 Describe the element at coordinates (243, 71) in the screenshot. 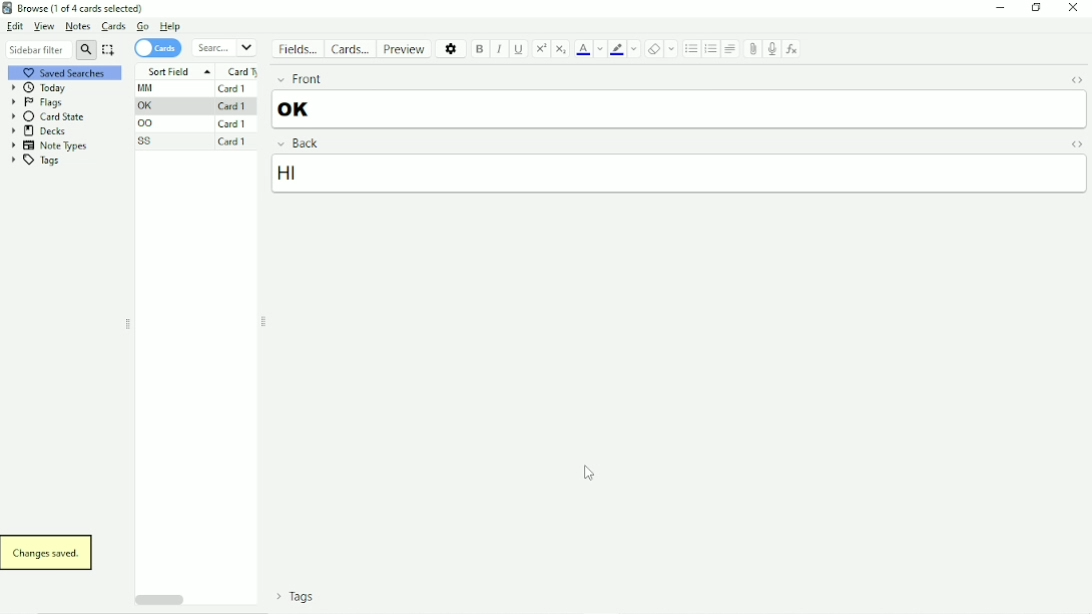

I see `Card type` at that location.